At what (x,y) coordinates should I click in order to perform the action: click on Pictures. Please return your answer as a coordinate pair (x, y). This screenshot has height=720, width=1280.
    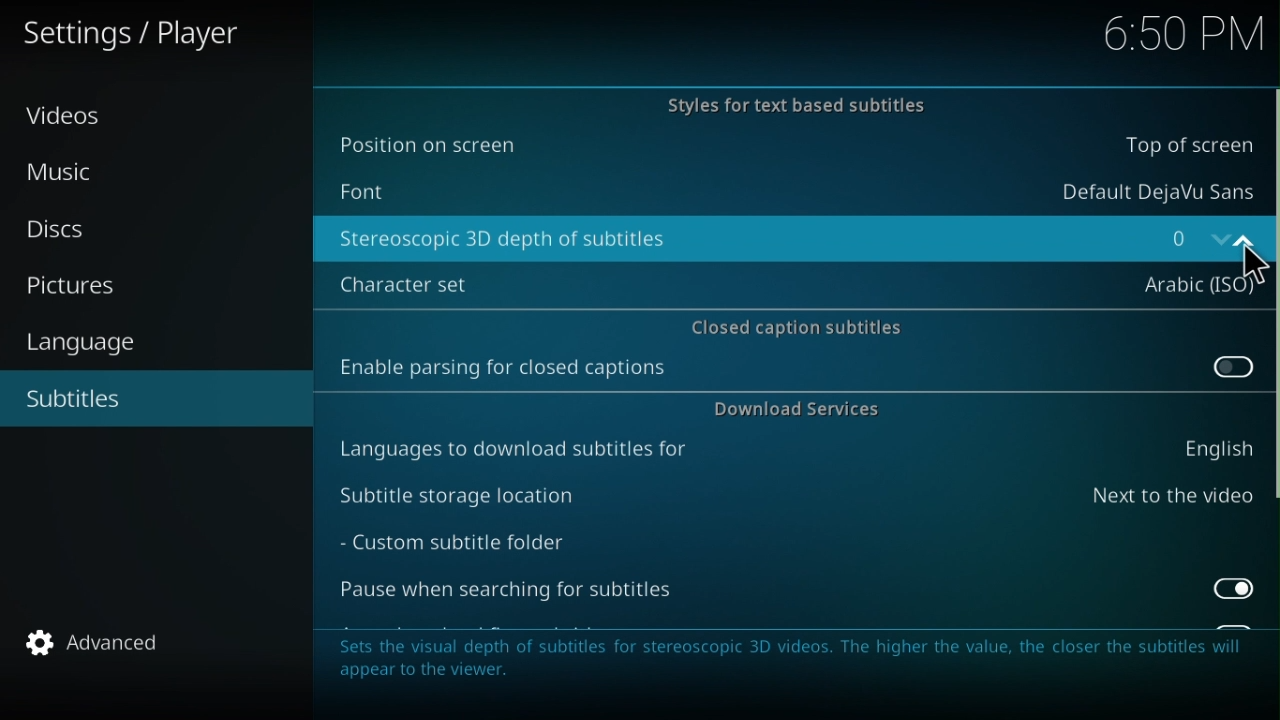
    Looking at the image, I should click on (75, 284).